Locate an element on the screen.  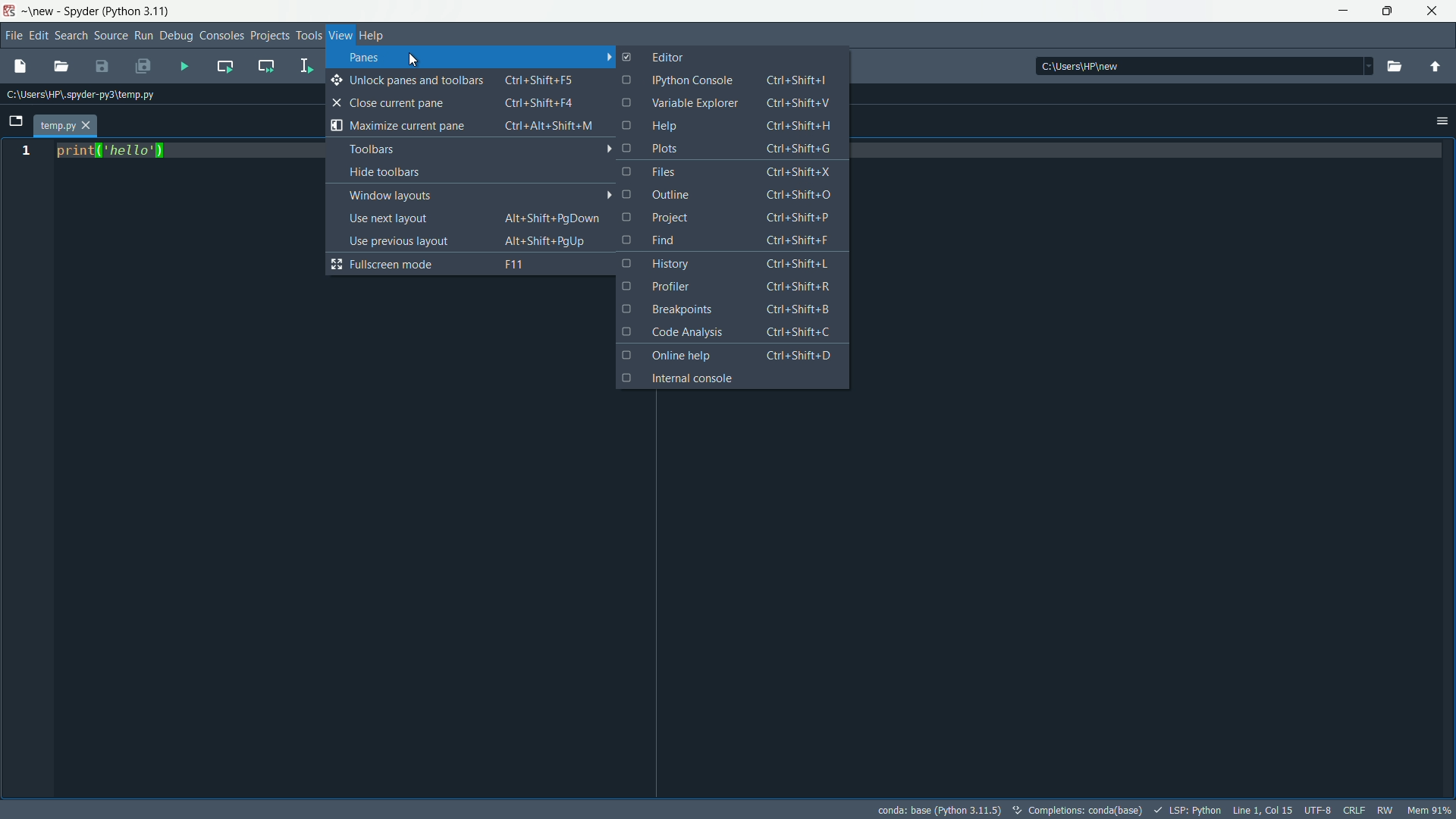
fullscreen mode is located at coordinates (472, 264).